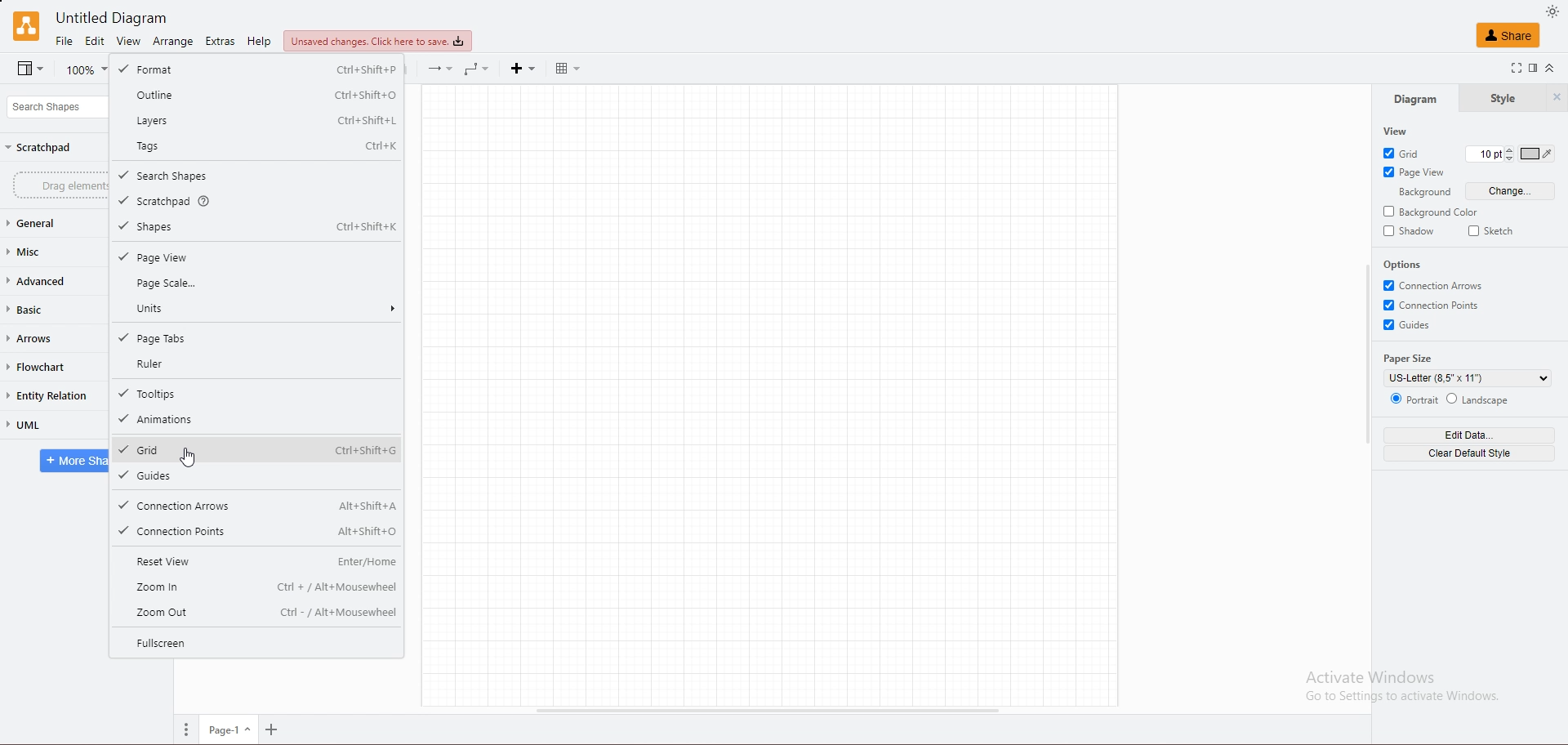  What do you see at coordinates (65, 39) in the screenshot?
I see `file` at bounding box center [65, 39].